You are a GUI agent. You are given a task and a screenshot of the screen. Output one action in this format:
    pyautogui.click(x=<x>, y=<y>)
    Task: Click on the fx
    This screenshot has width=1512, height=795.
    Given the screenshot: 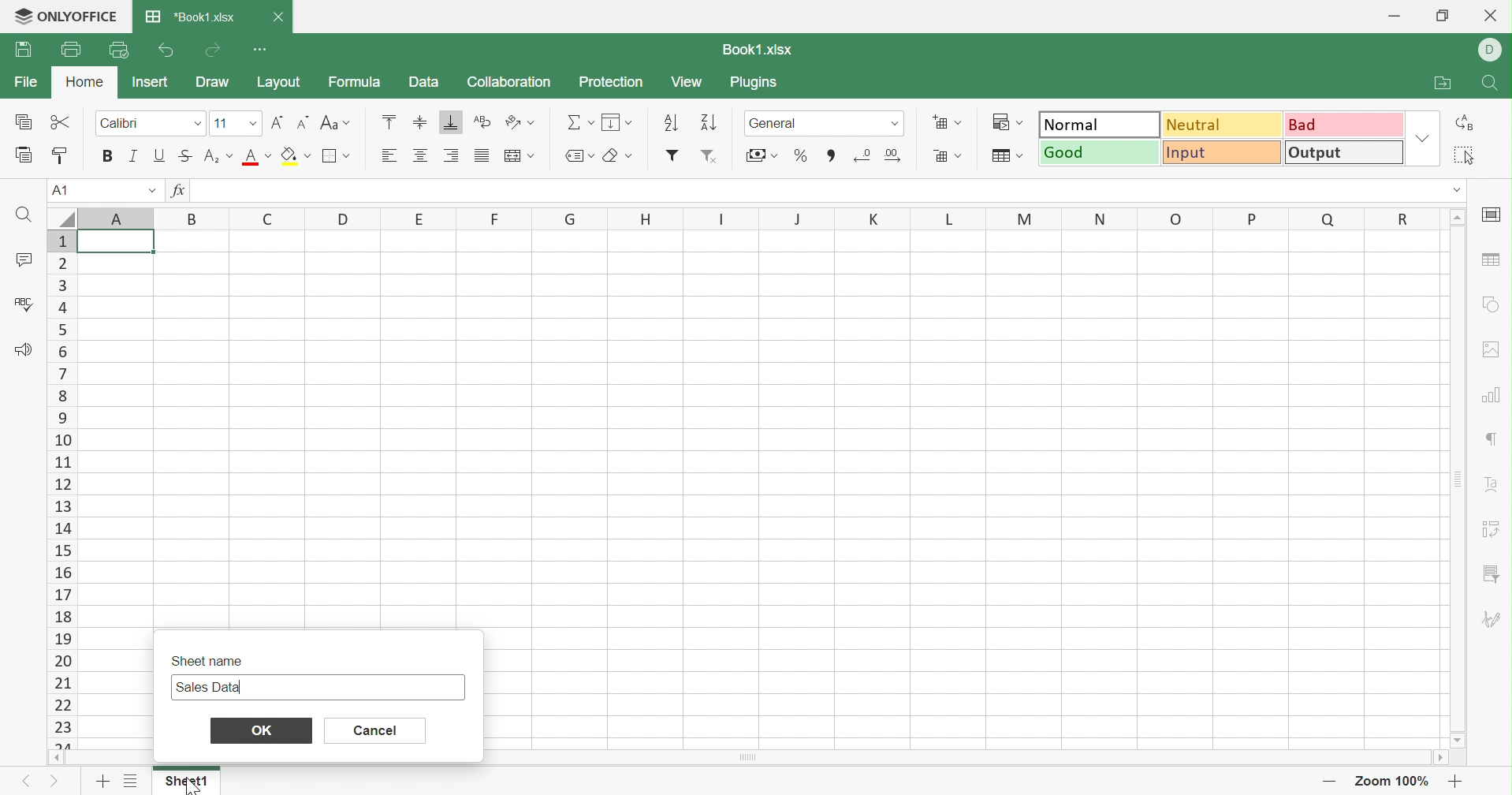 What is the action you would take?
    pyautogui.click(x=178, y=189)
    